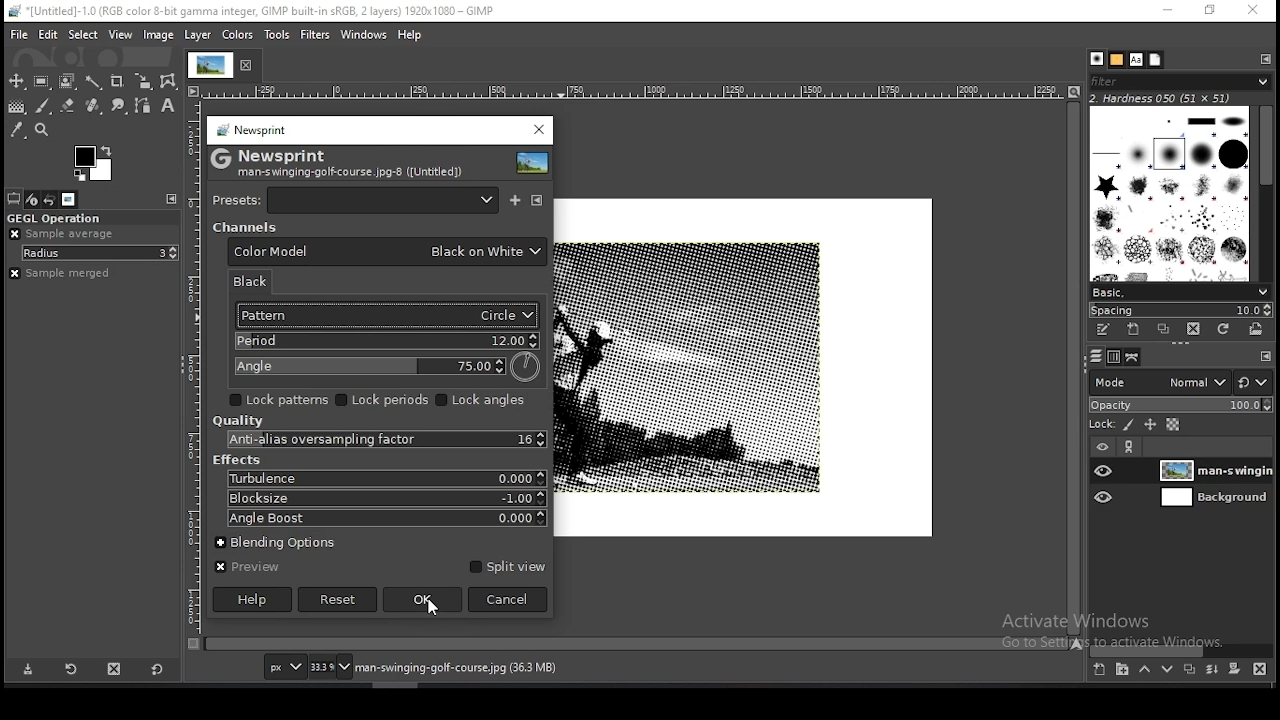  I want to click on filters, so click(316, 34).